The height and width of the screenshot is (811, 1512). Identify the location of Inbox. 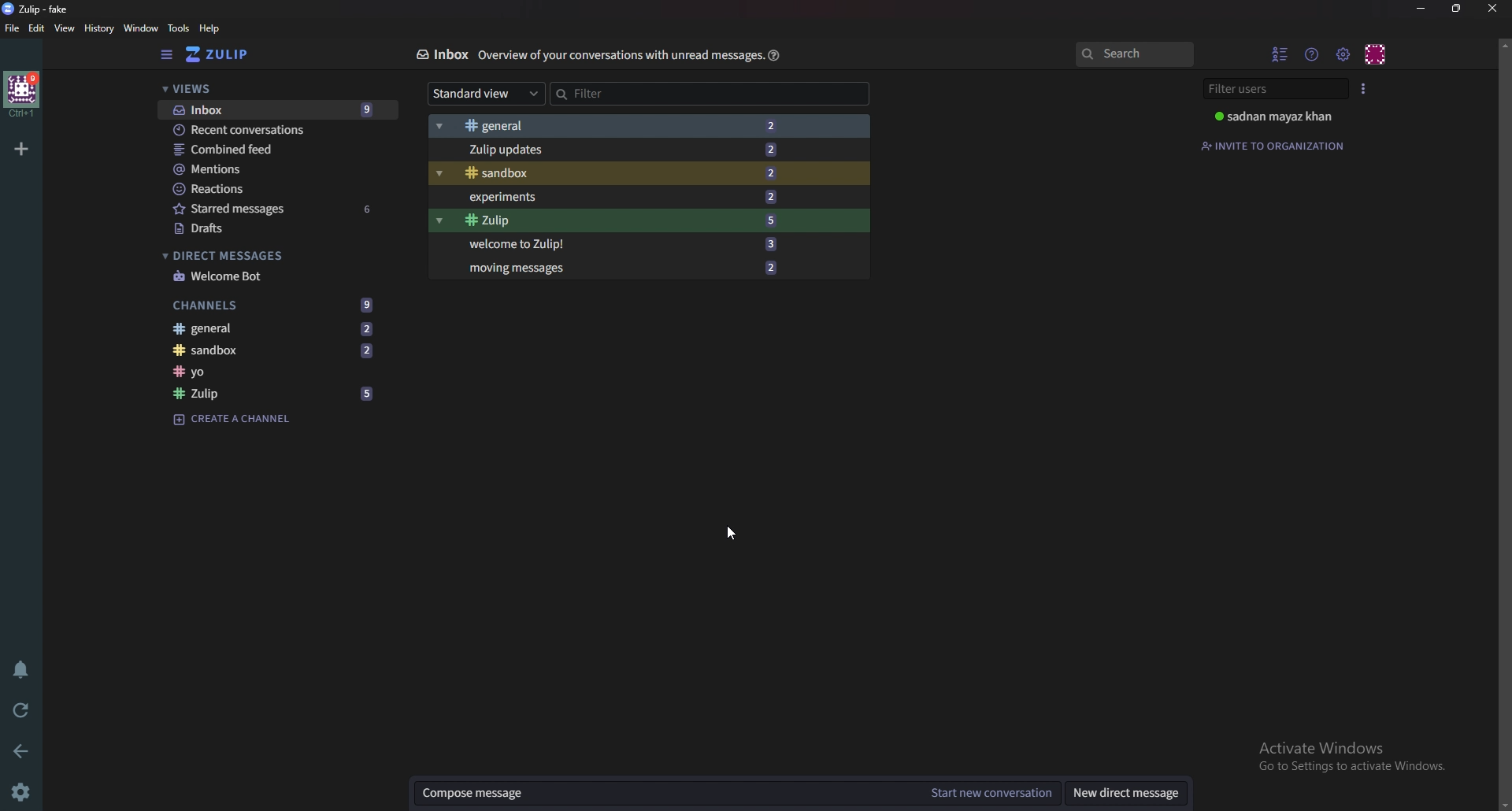
(442, 55).